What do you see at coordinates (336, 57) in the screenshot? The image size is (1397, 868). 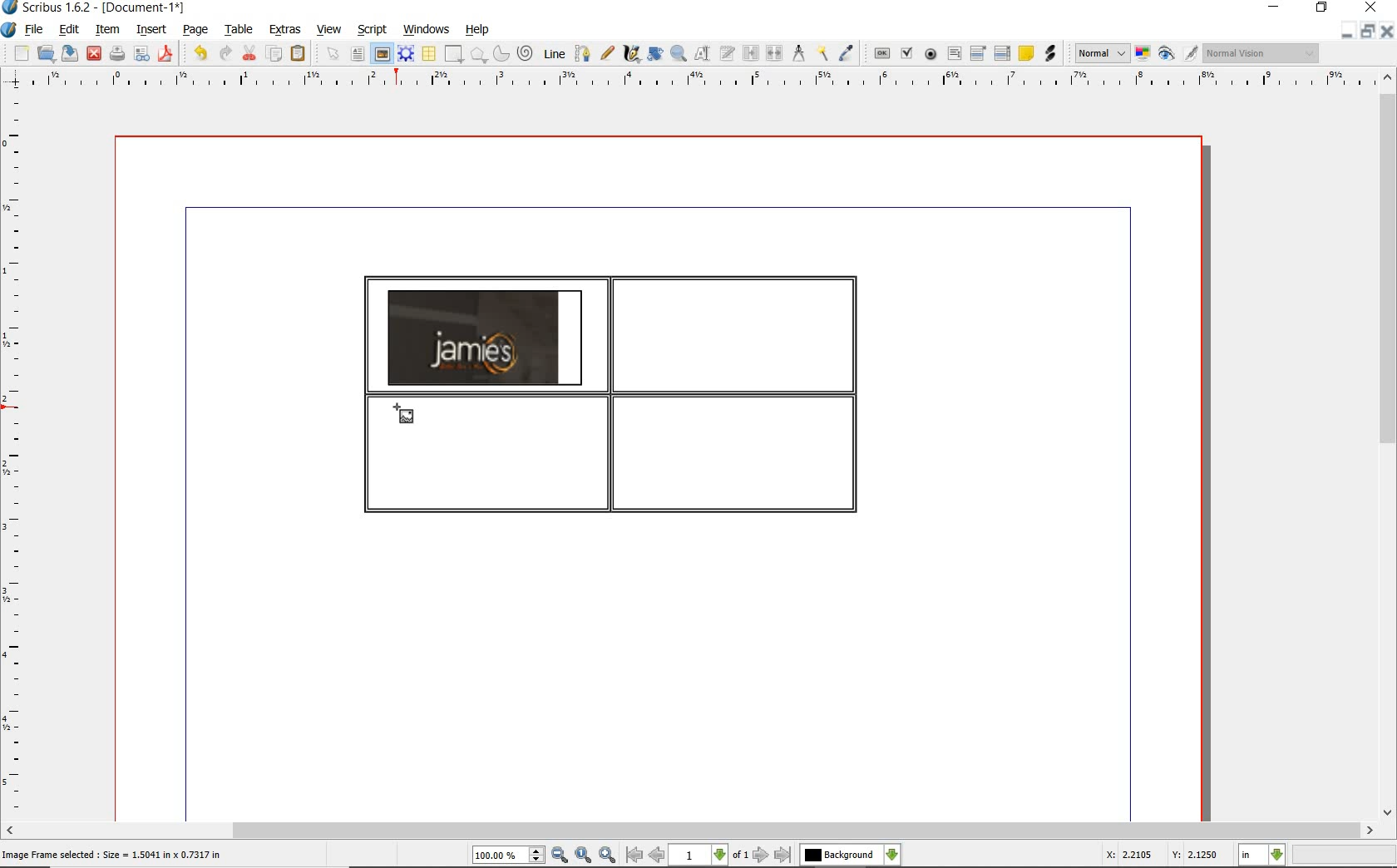 I see `select` at bounding box center [336, 57].